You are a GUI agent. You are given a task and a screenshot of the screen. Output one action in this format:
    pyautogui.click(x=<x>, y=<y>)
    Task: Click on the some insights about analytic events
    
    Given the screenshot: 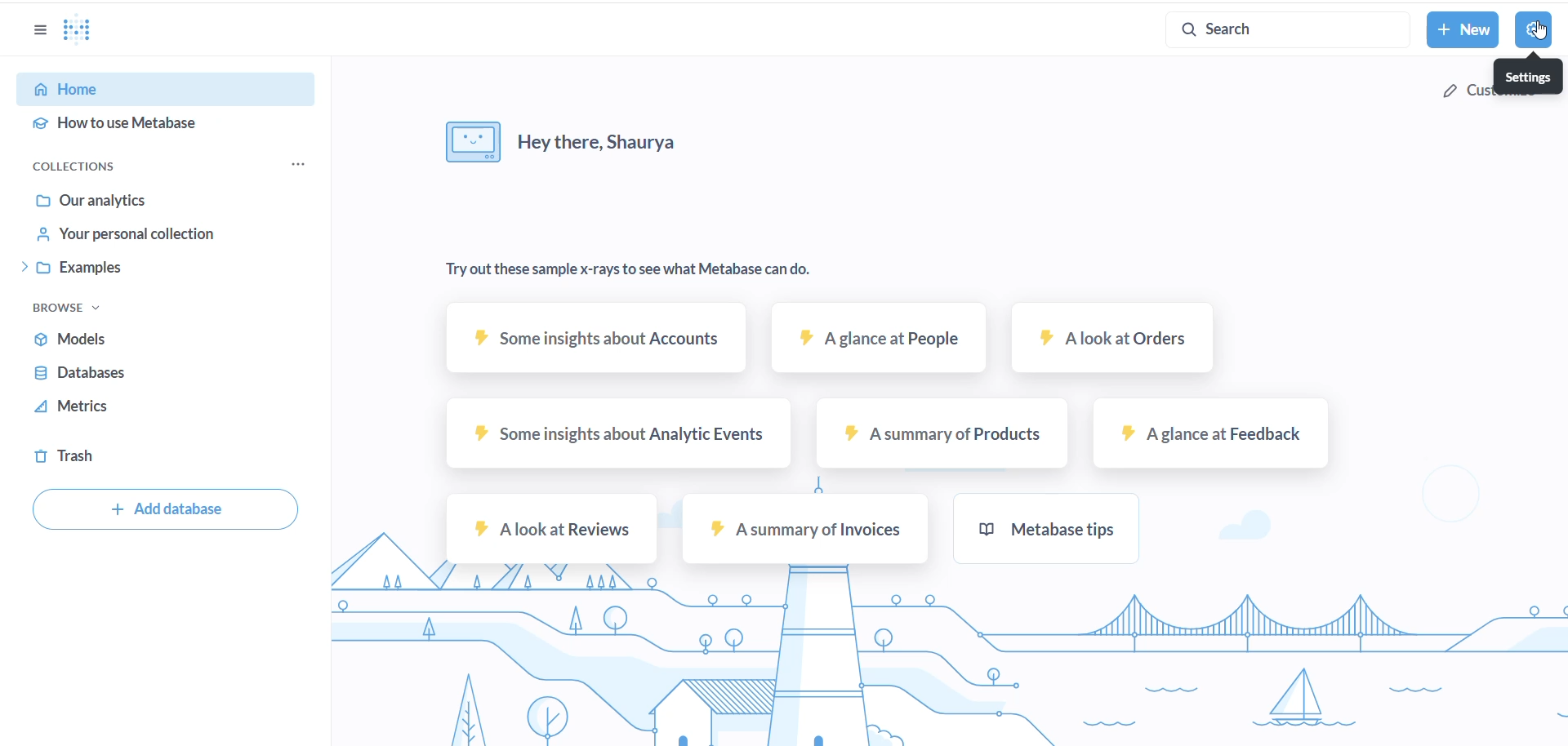 What is the action you would take?
    pyautogui.click(x=601, y=433)
    